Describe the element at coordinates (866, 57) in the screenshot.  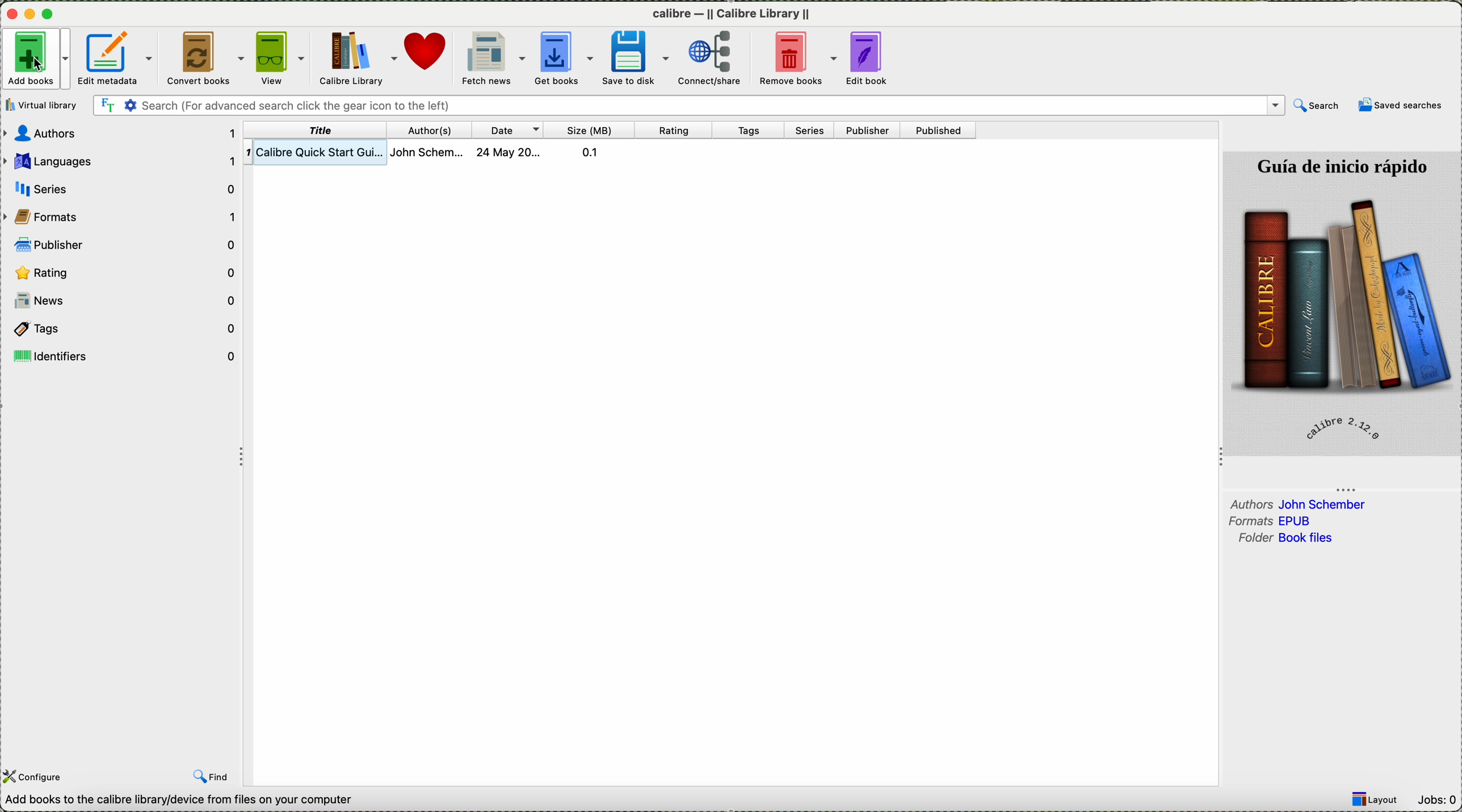
I see `edit book` at that location.